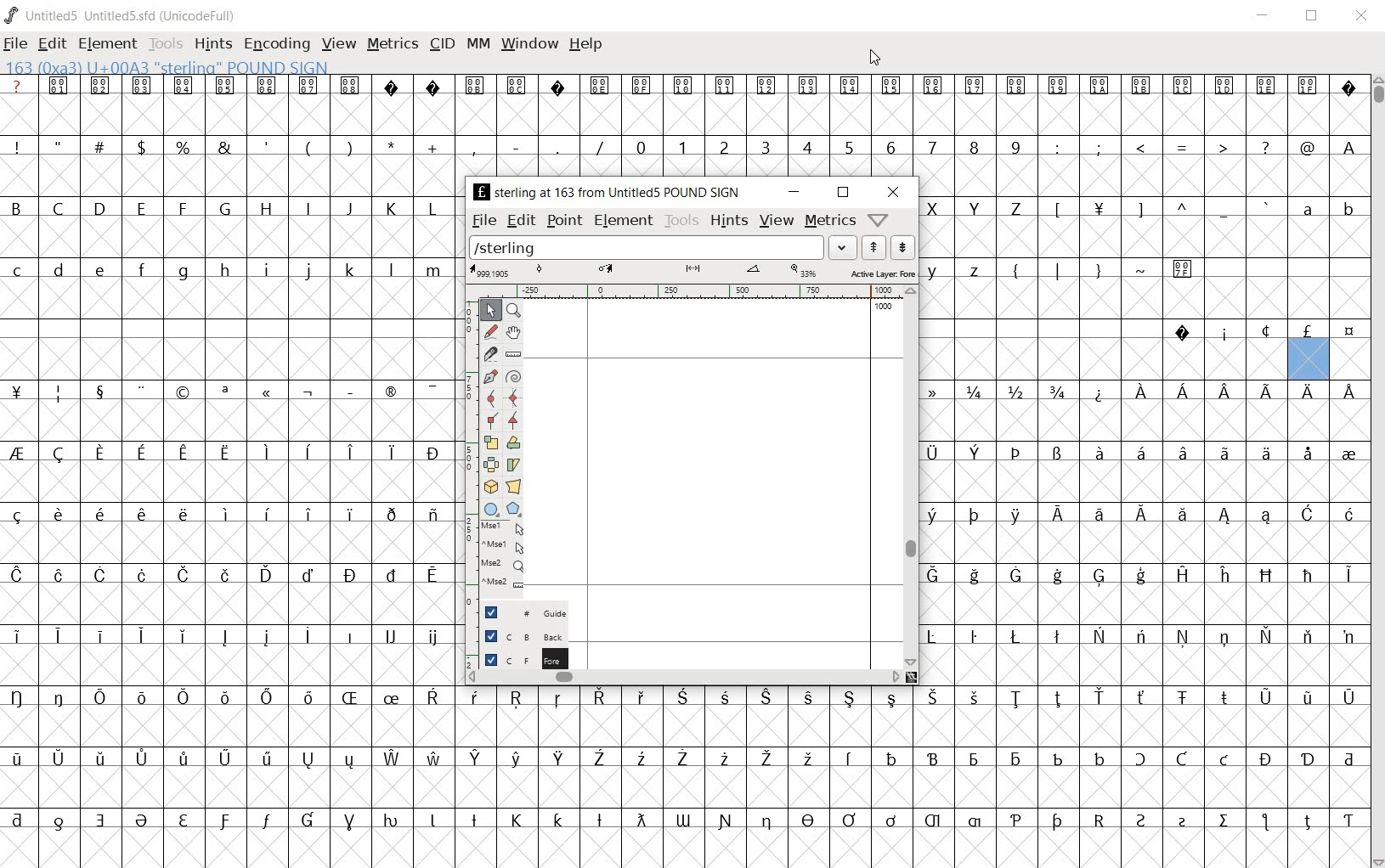  What do you see at coordinates (523, 219) in the screenshot?
I see `edit` at bounding box center [523, 219].